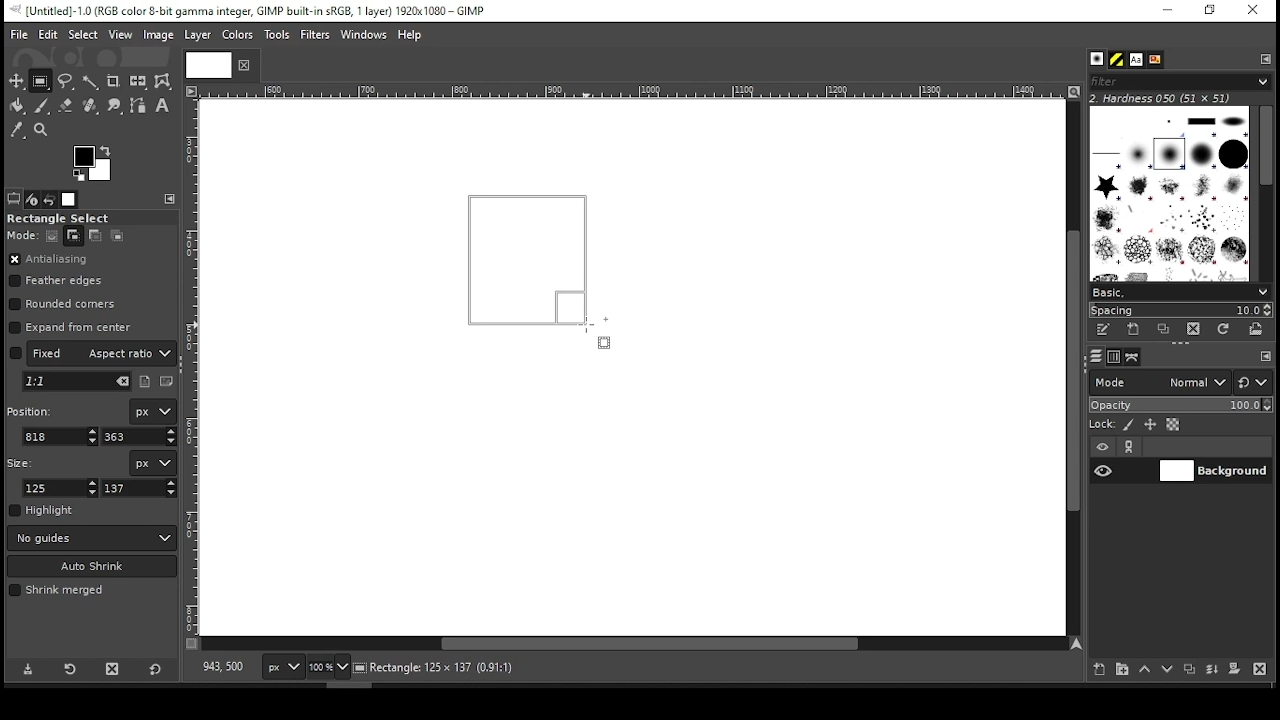 The image size is (1280, 720). What do you see at coordinates (1117, 60) in the screenshot?
I see `pattern` at bounding box center [1117, 60].